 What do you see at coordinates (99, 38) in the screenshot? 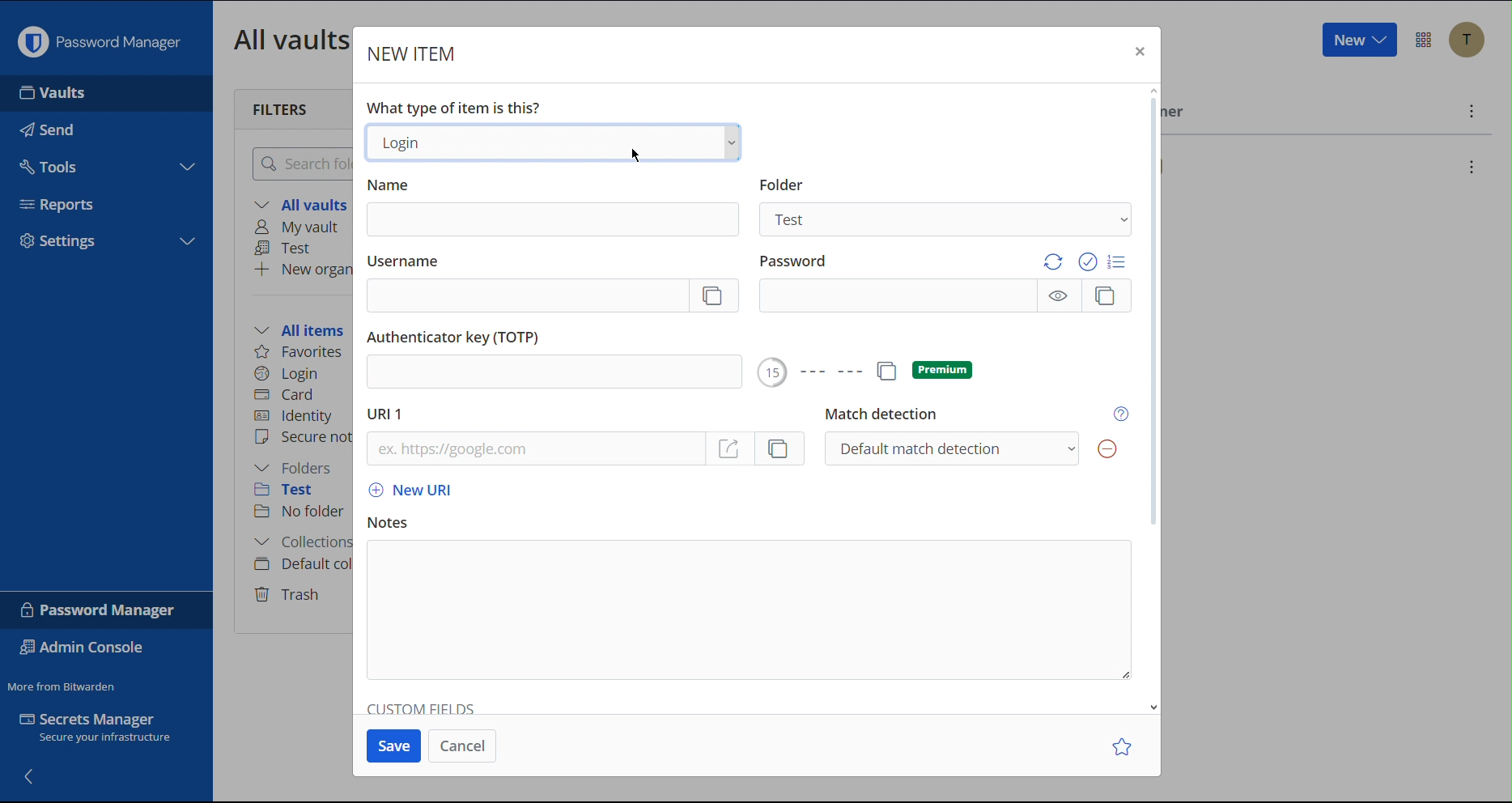
I see `Password Manager` at bounding box center [99, 38].